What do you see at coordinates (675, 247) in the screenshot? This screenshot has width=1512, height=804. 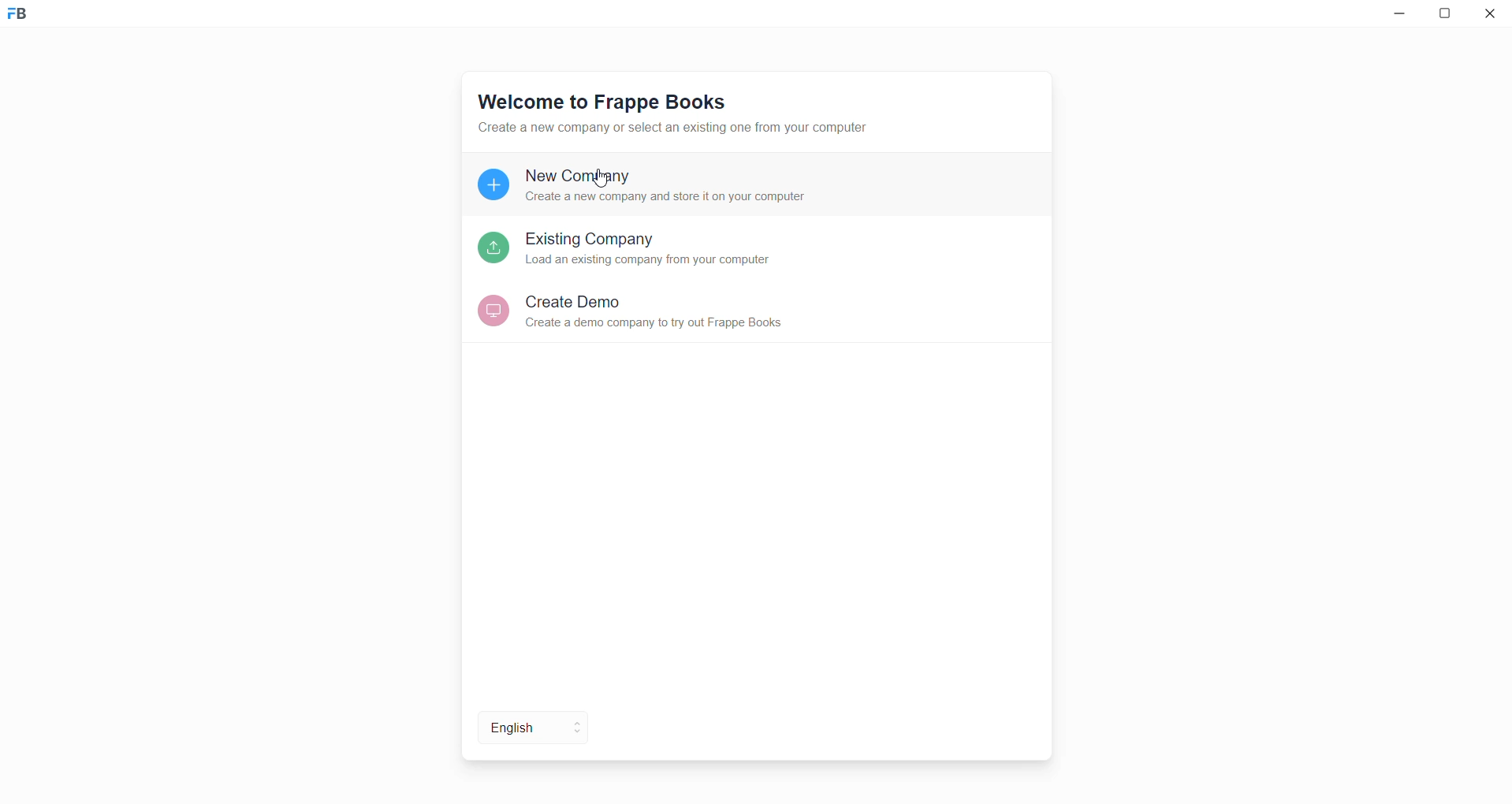 I see `Load Existing Company ` at bounding box center [675, 247].